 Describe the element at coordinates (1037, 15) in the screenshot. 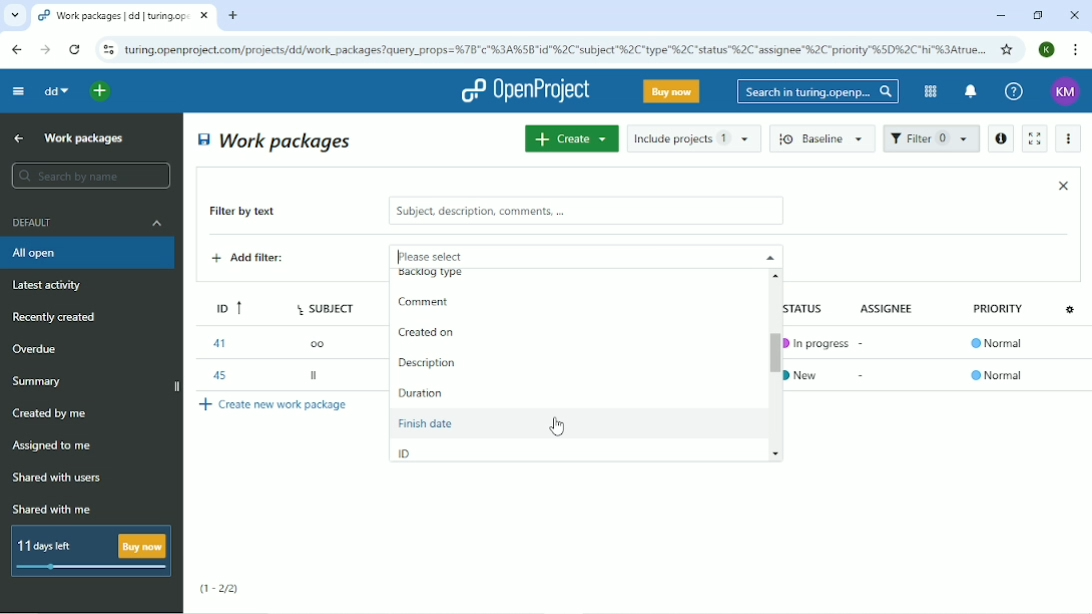

I see `Restore down` at that location.